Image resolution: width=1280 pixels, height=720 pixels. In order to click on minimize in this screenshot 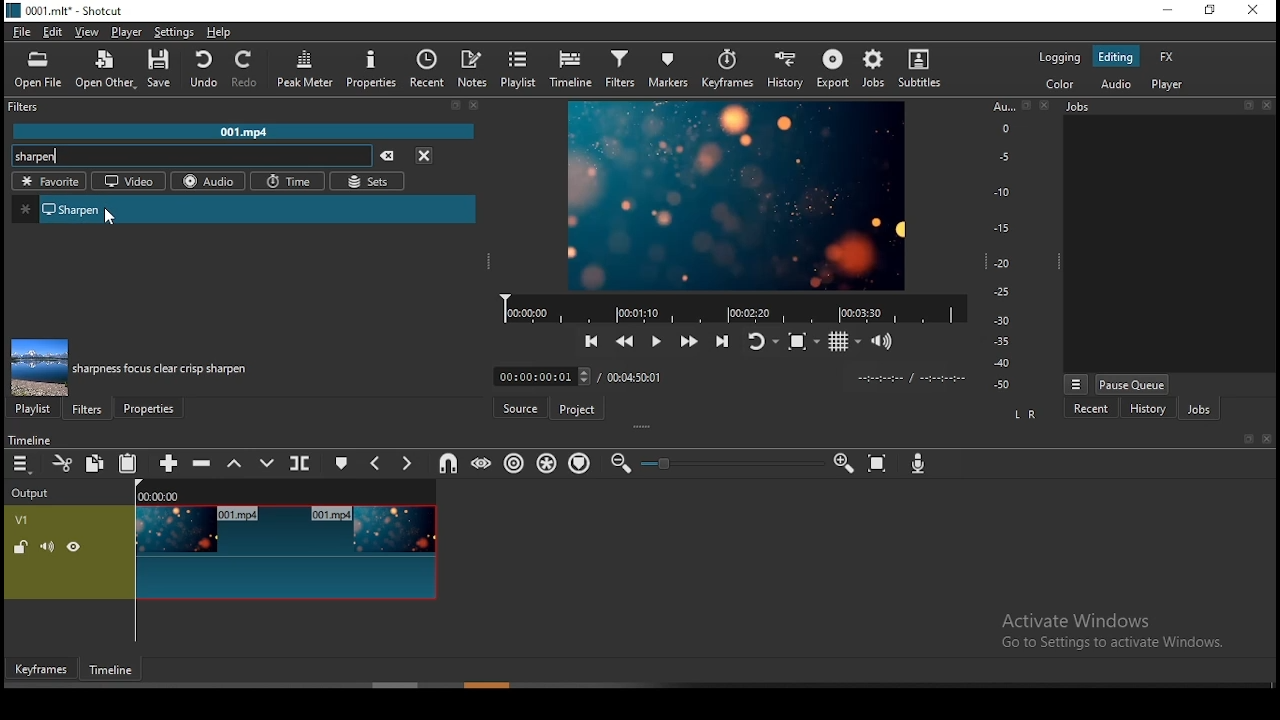, I will do `click(1171, 11)`.